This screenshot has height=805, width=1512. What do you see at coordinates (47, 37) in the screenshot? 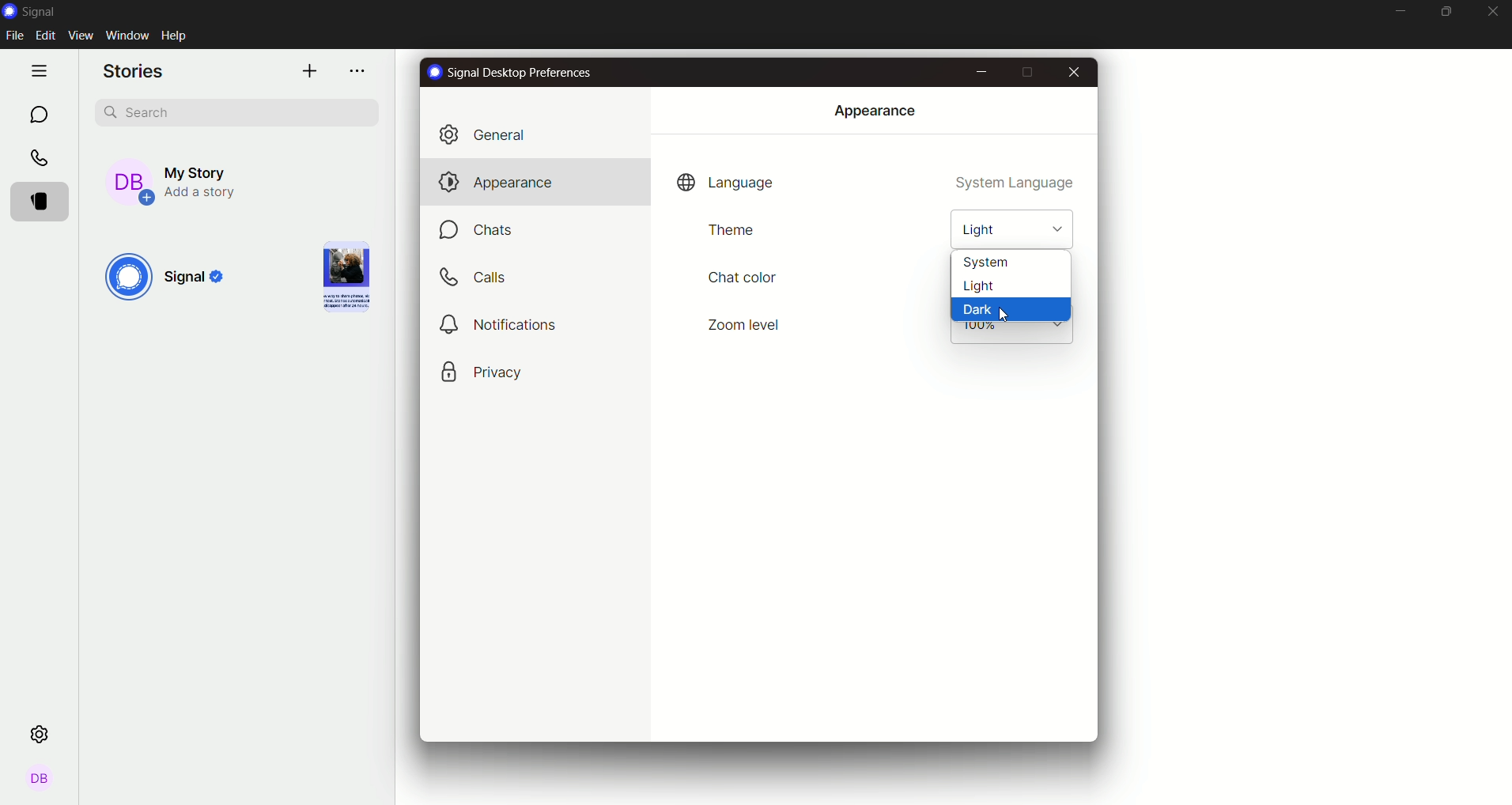
I see `edit` at bounding box center [47, 37].